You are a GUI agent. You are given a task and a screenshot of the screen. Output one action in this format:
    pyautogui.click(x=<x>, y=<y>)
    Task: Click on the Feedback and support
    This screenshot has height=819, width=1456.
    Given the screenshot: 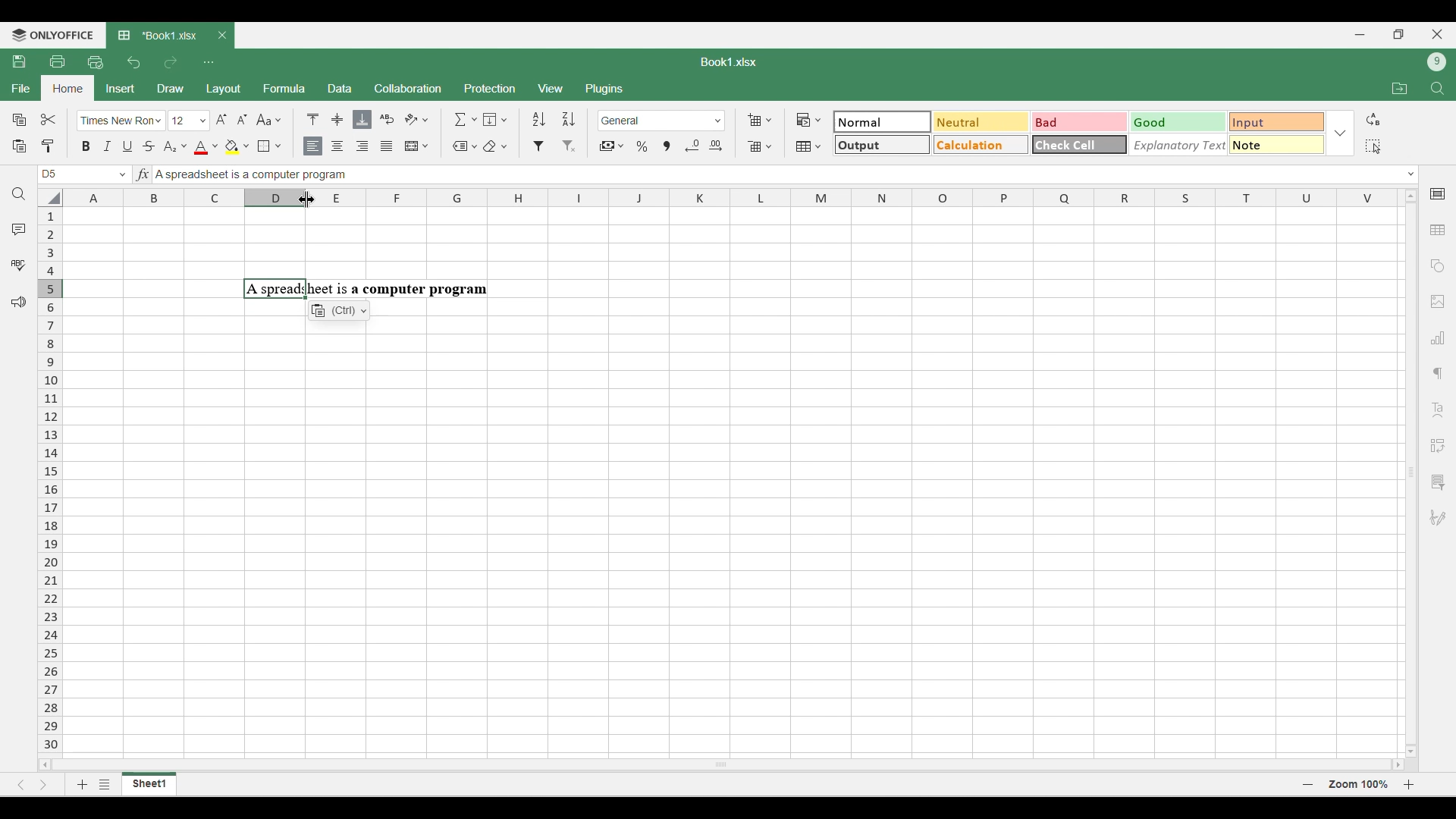 What is the action you would take?
    pyautogui.click(x=19, y=303)
    